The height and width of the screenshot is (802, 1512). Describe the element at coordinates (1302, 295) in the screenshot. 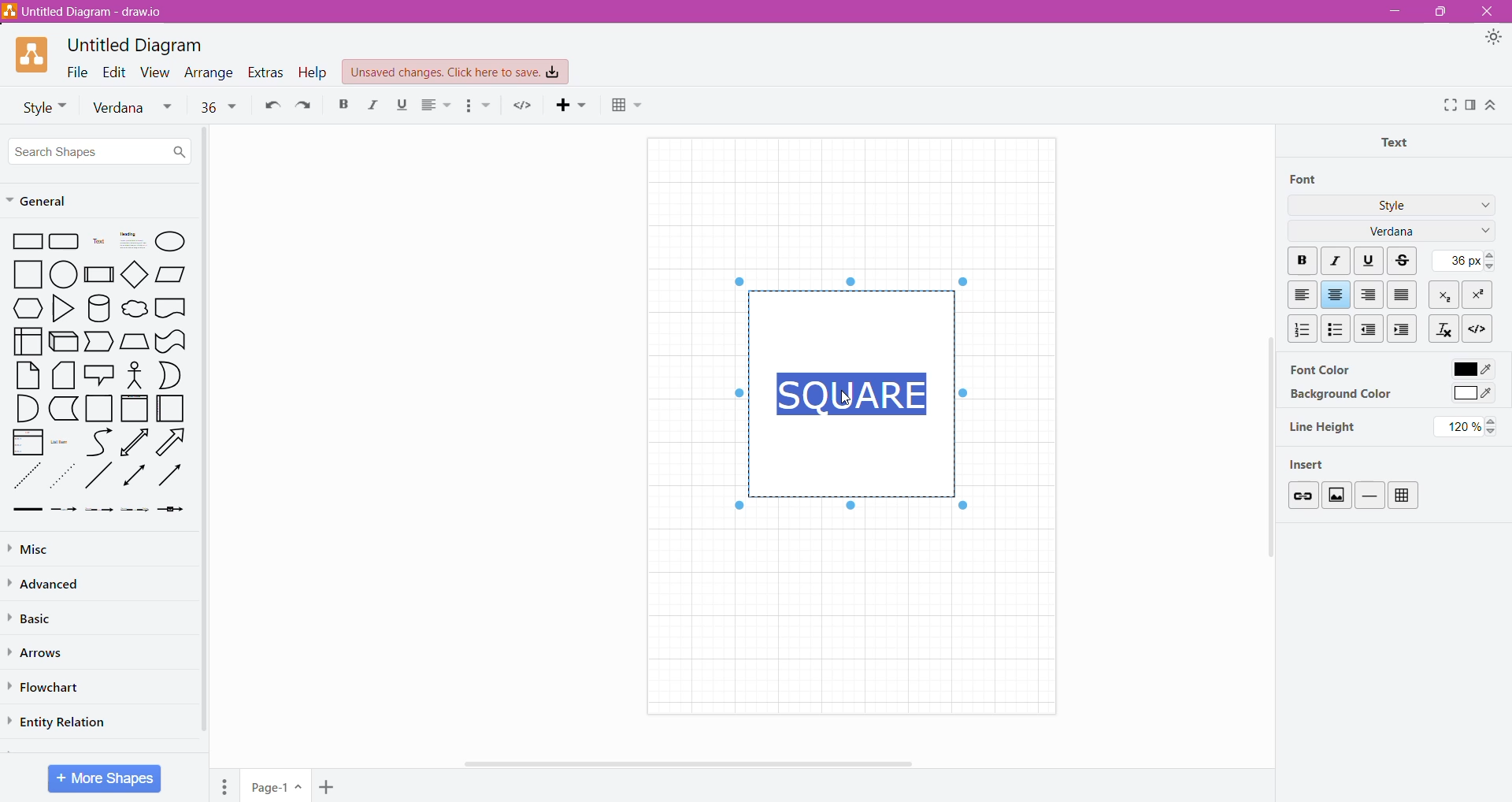

I see `Left` at that location.